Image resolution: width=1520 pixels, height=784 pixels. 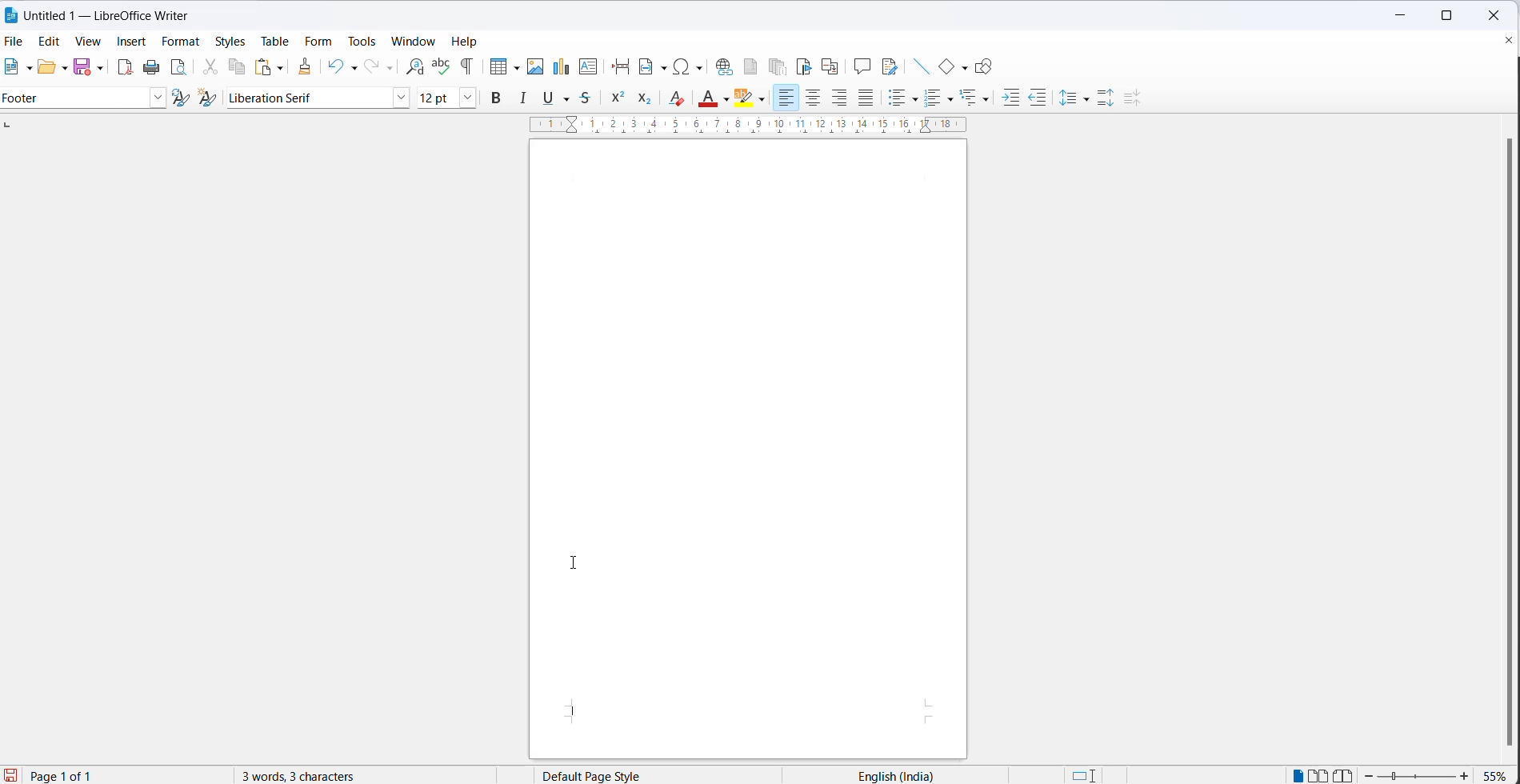 What do you see at coordinates (180, 41) in the screenshot?
I see `format` at bounding box center [180, 41].